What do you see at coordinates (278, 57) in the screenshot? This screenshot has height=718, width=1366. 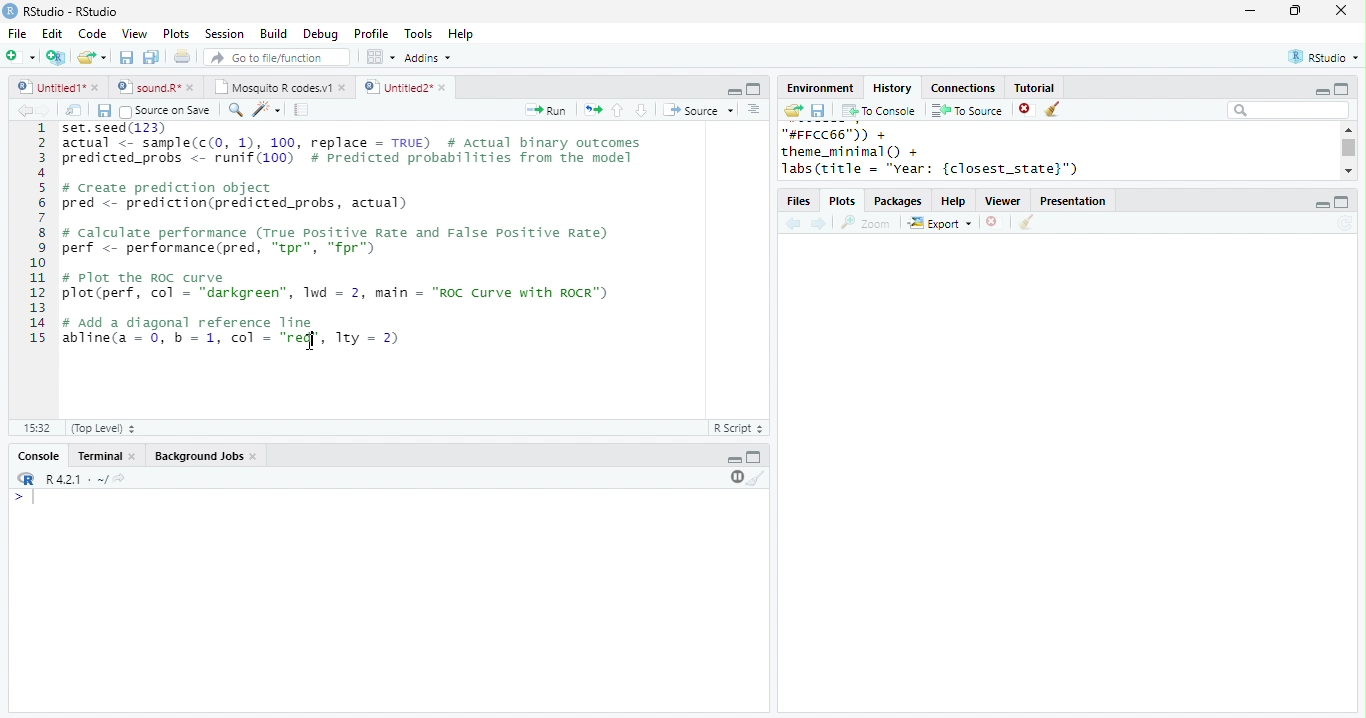 I see `search file` at bounding box center [278, 57].